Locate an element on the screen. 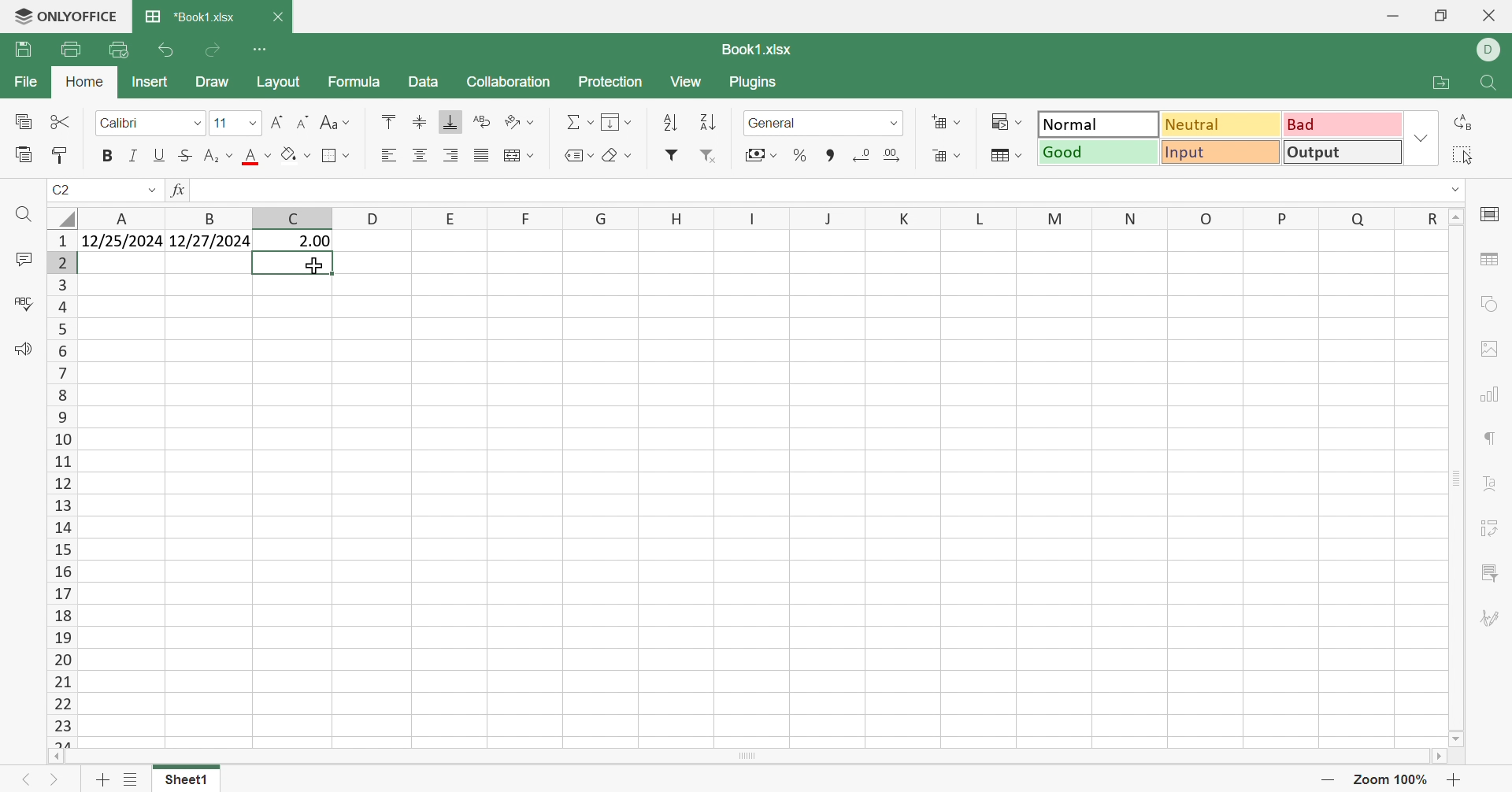  =B1-A1 is located at coordinates (226, 191).